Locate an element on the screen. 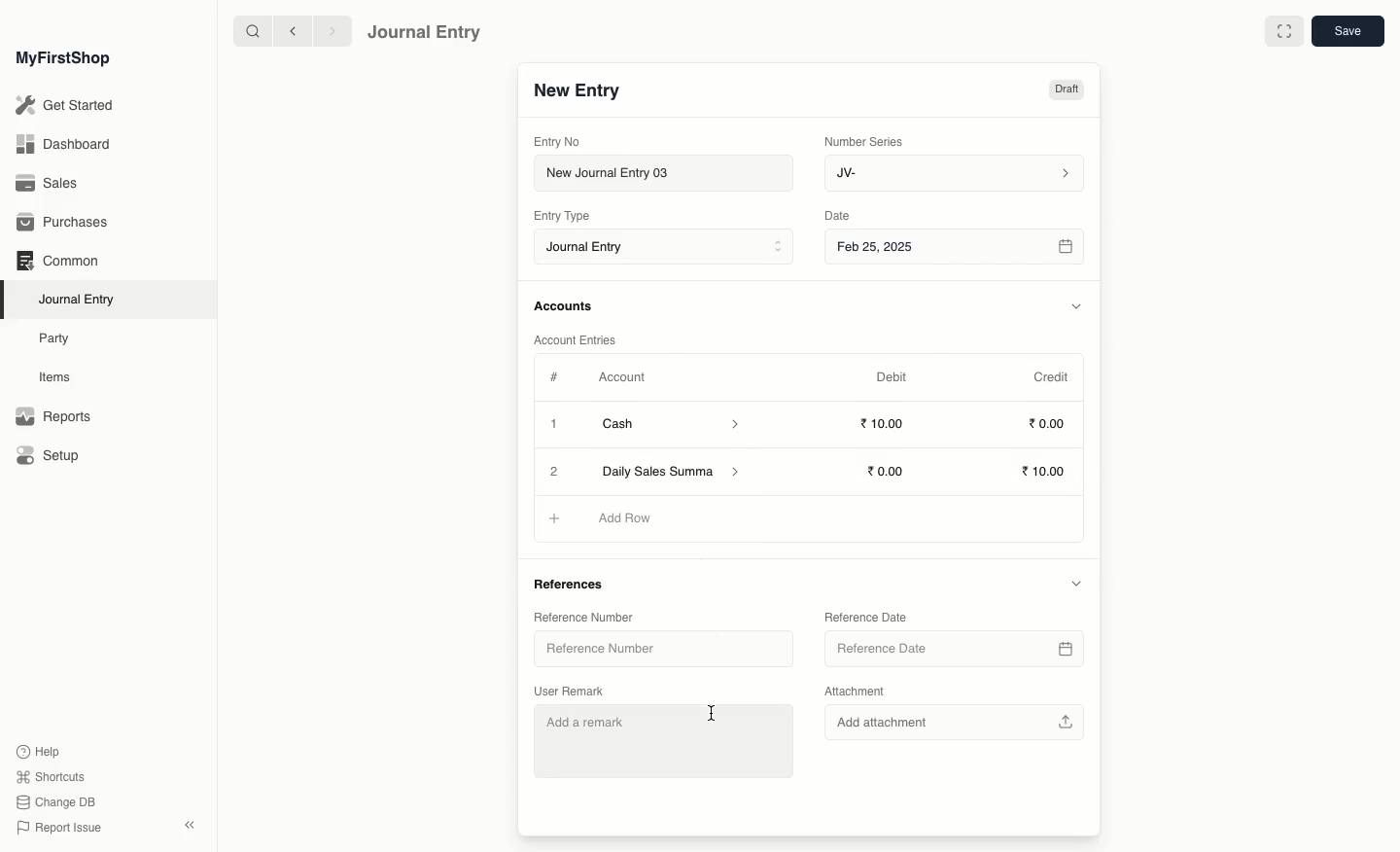 The image size is (1400, 852). Setup is located at coordinates (50, 457).